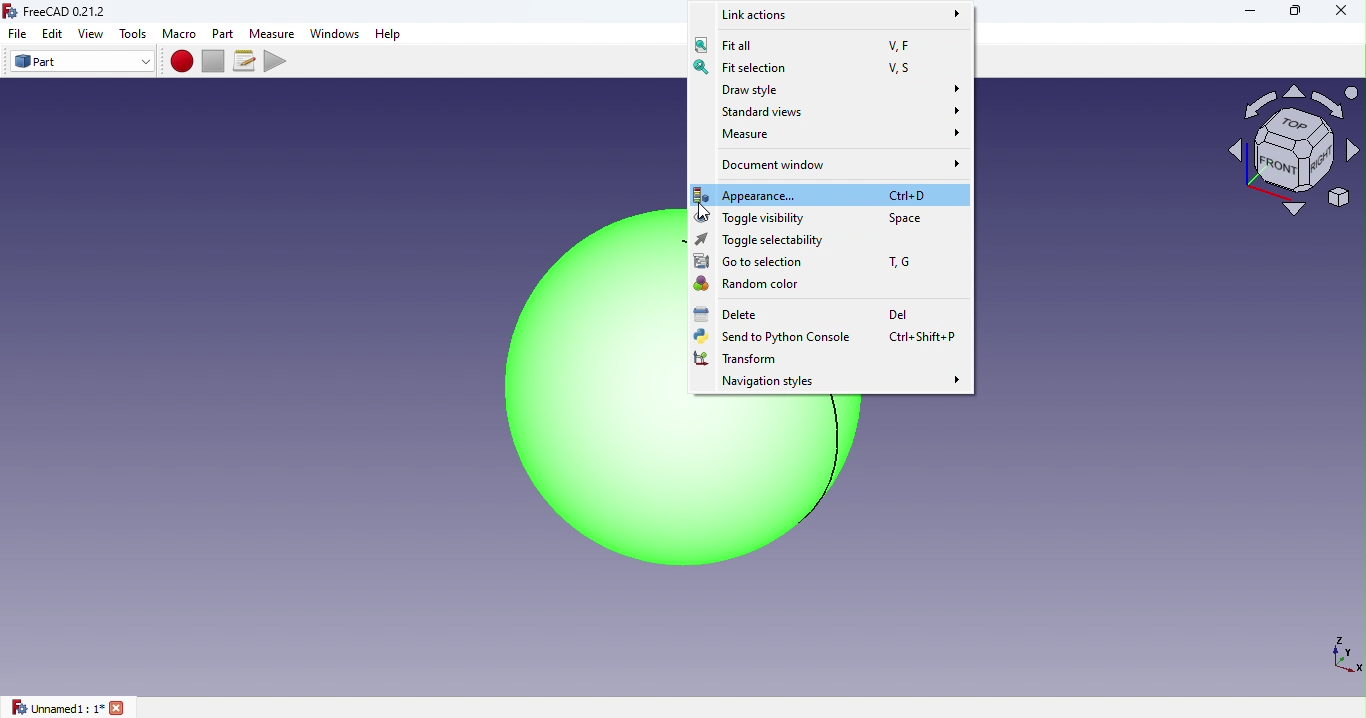  I want to click on Stop Macro recording, so click(217, 60).